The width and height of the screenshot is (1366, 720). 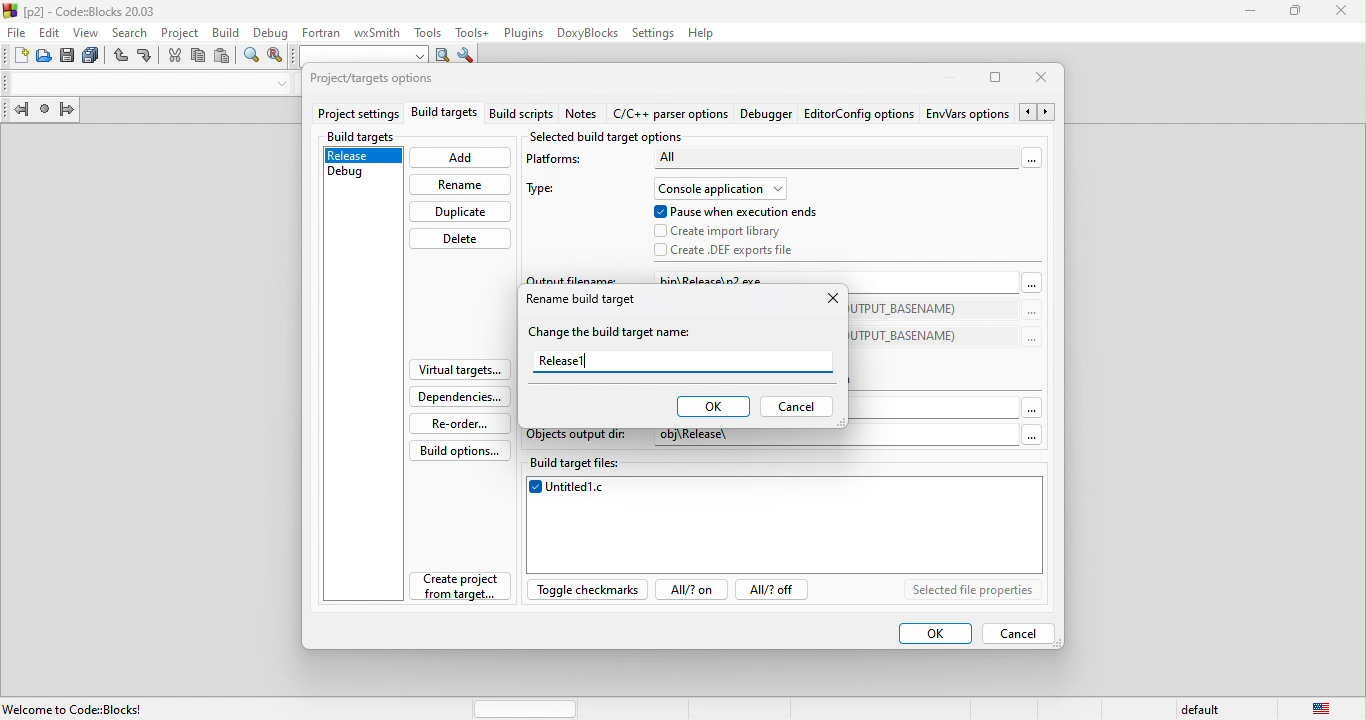 I want to click on all?on, so click(x=694, y=592).